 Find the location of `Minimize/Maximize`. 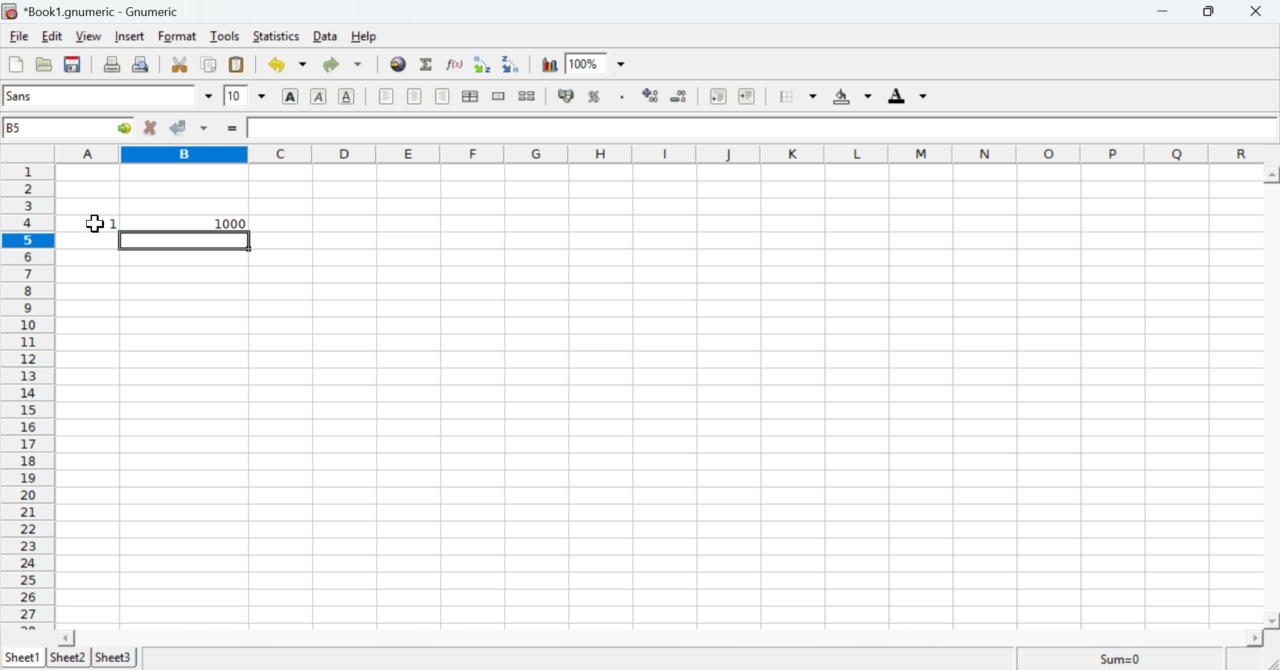

Minimize/Maximize is located at coordinates (1210, 12).